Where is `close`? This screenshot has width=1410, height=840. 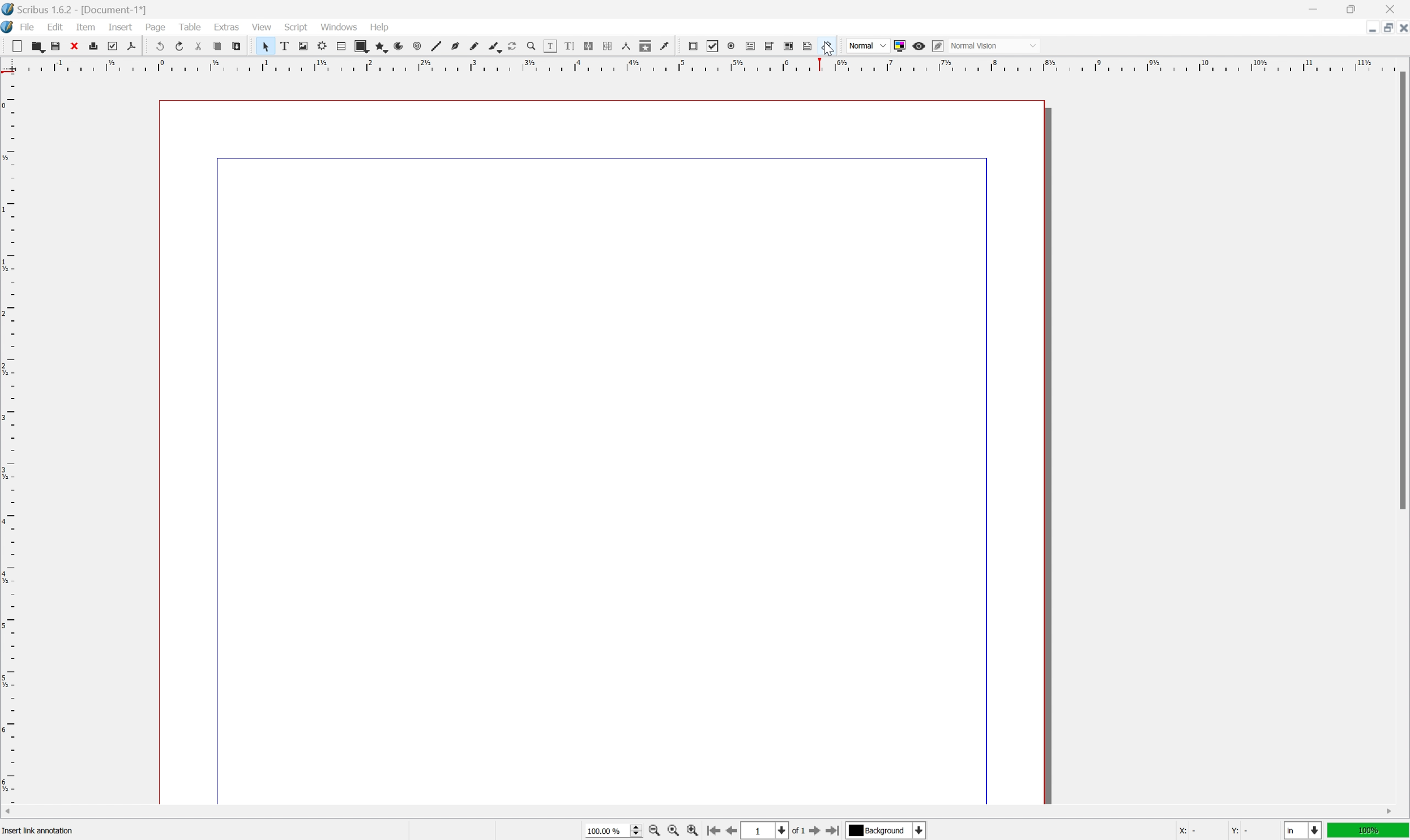
close is located at coordinates (1401, 30).